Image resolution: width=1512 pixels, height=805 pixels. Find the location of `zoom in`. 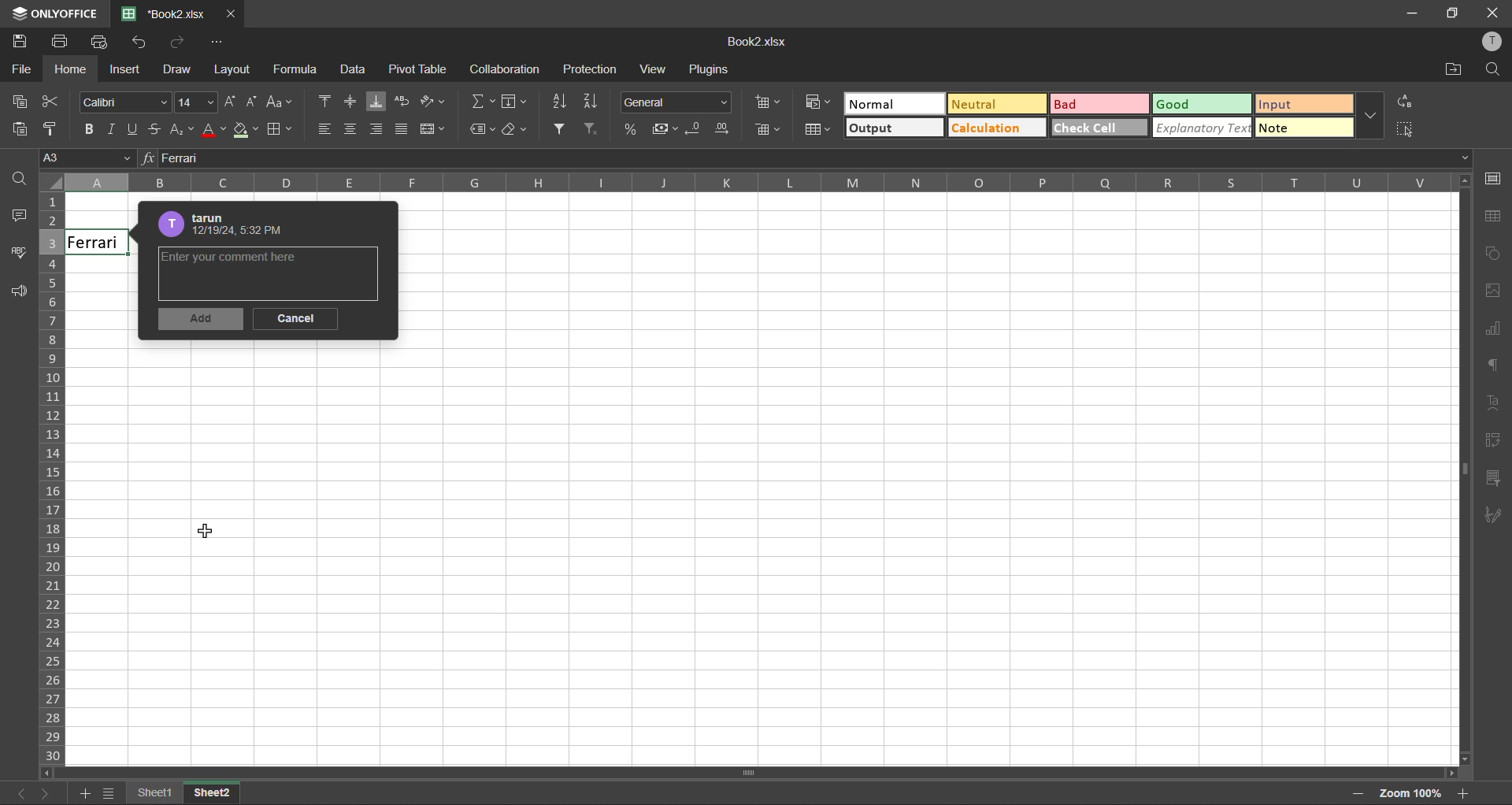

zoom in is located at coordinates (1466, 792).